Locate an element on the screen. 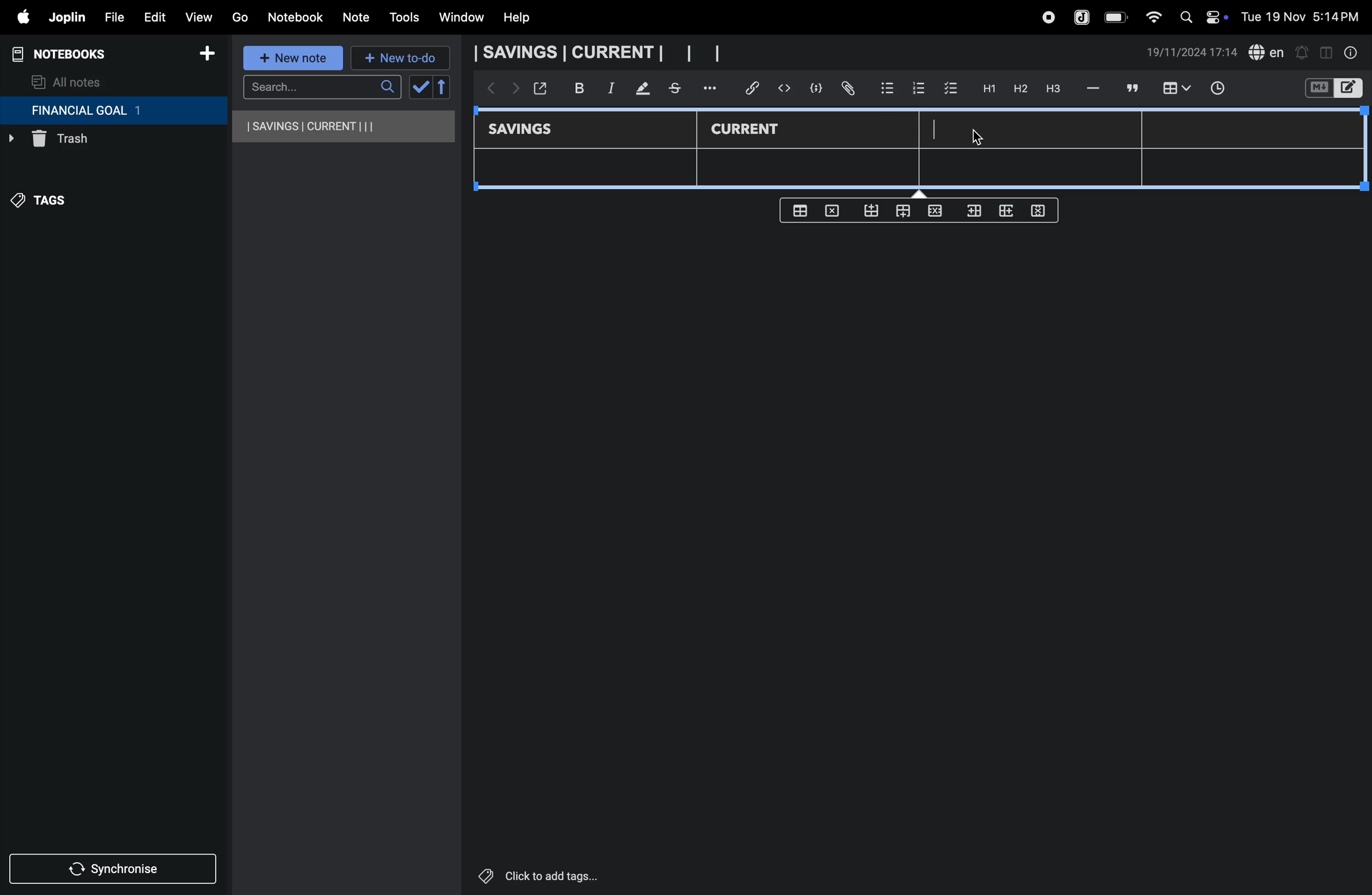 The image size is (1372, 895). savings is located at coordinates (529, 130).